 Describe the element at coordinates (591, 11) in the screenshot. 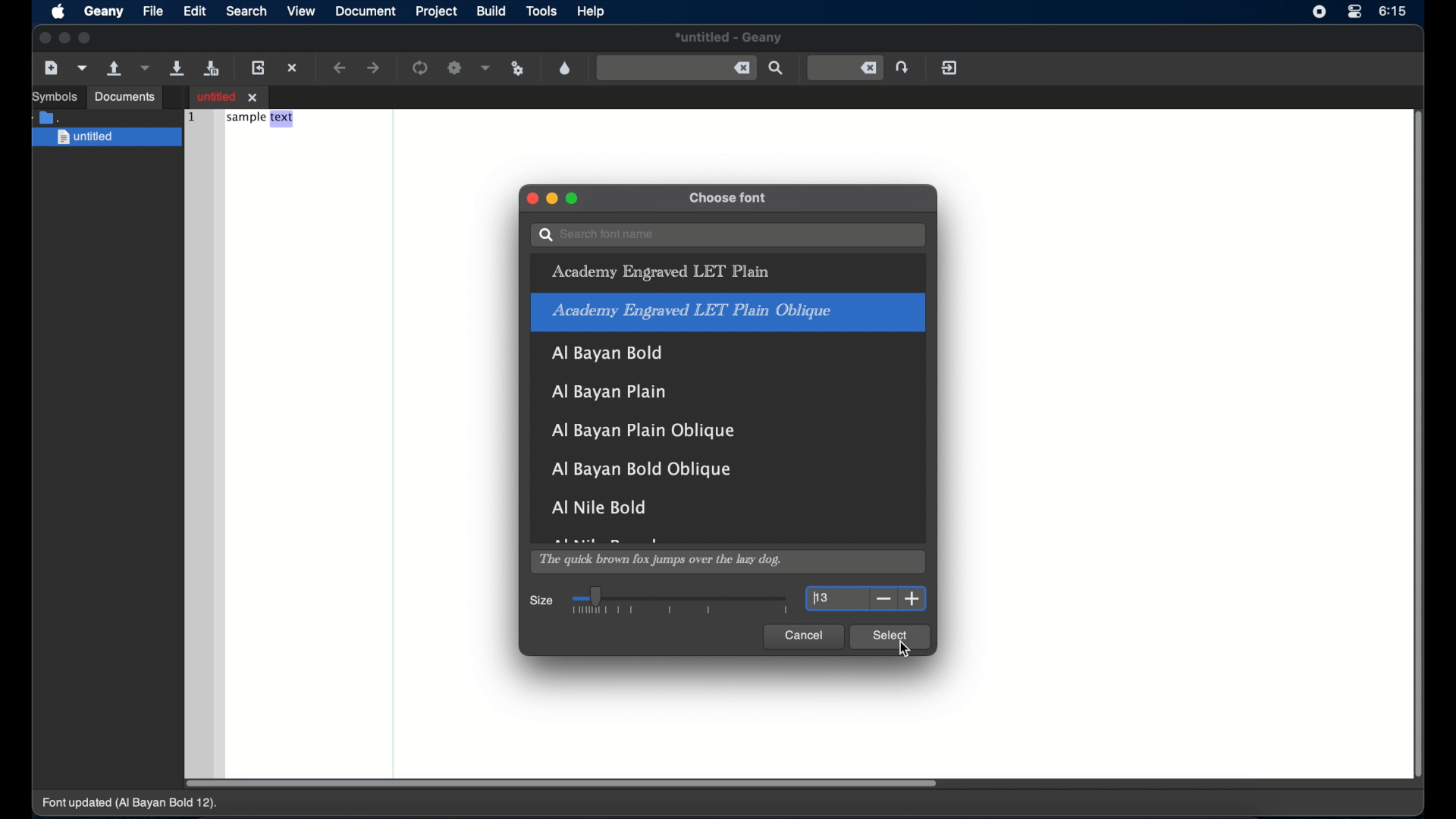

I see `help` at that location.